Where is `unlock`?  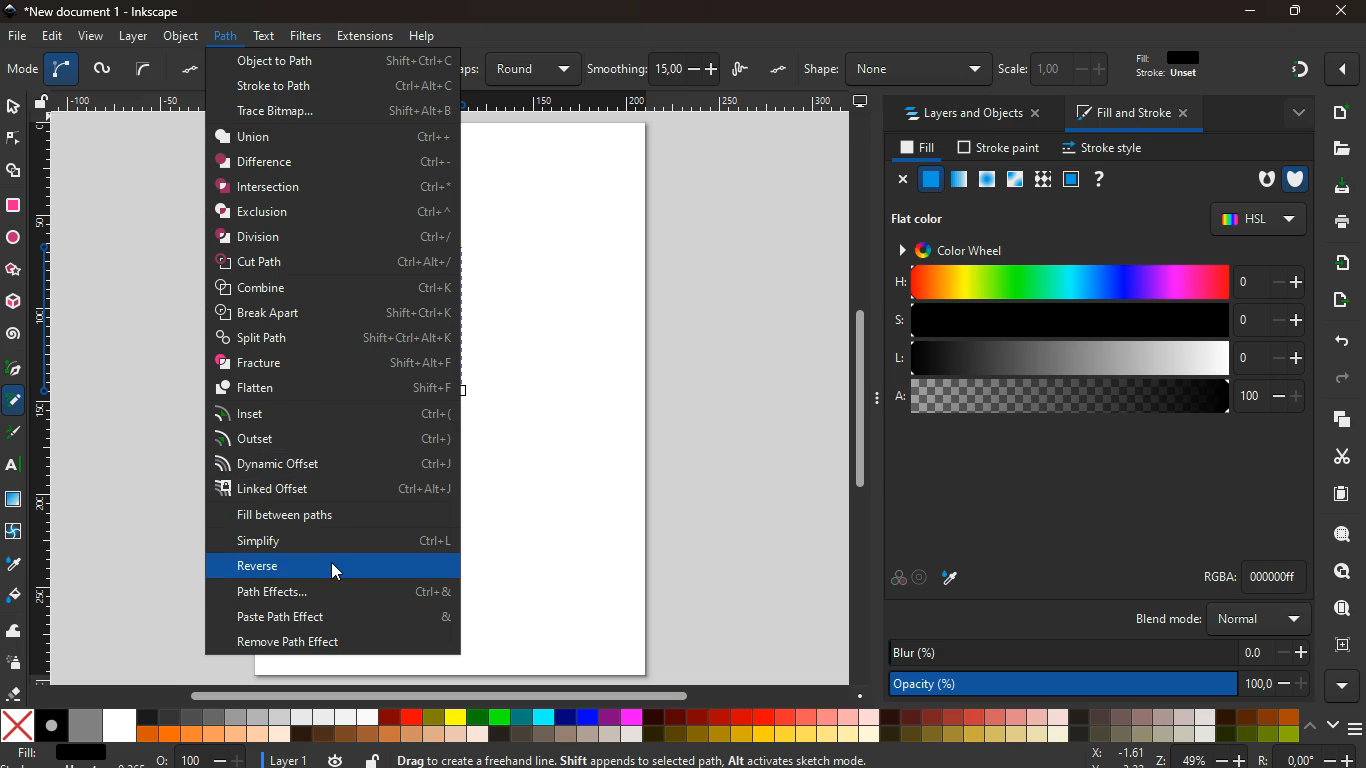 unlock is located at coordinates (43, 103).